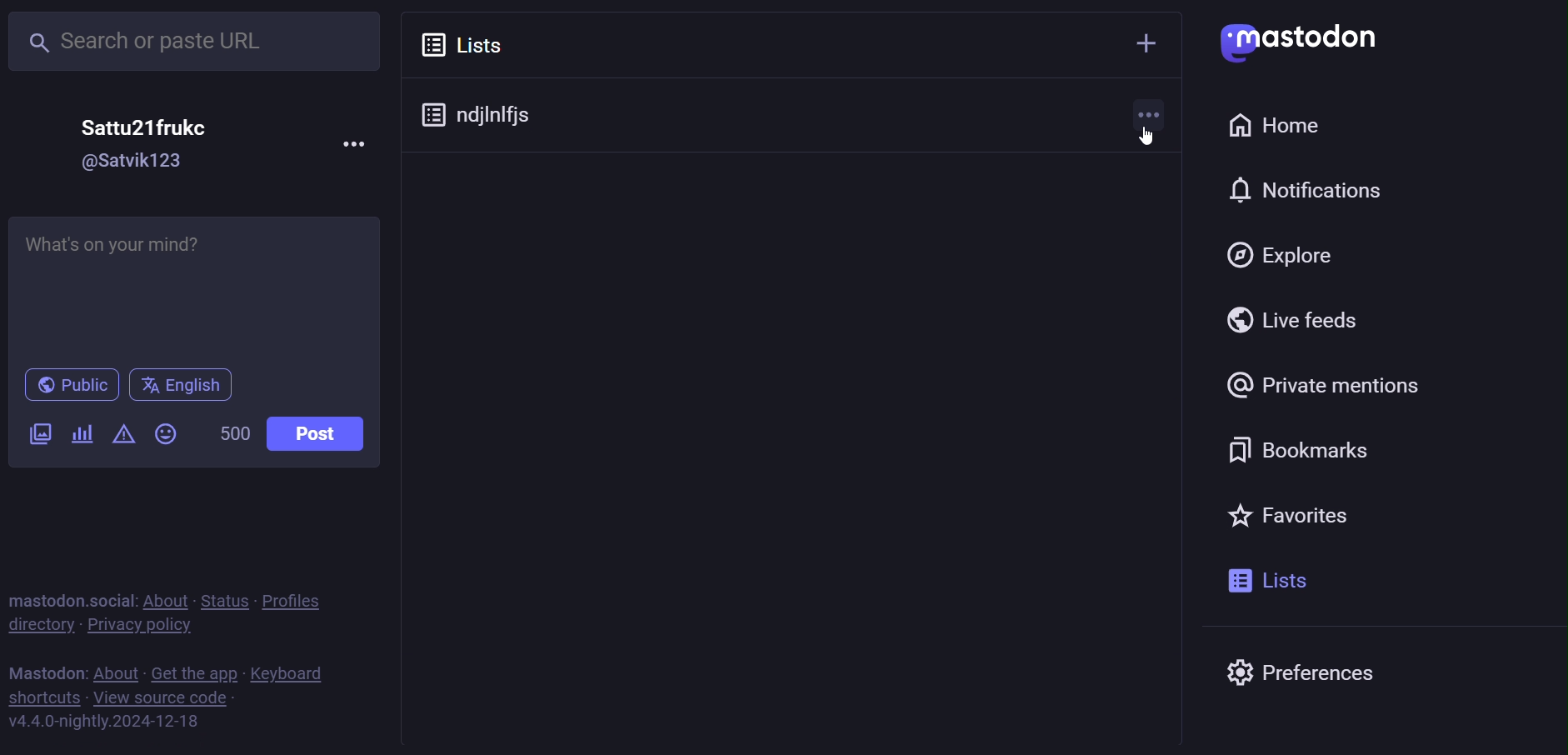 The image size is (1568, 755). I want to click on about, so click(165, 598).